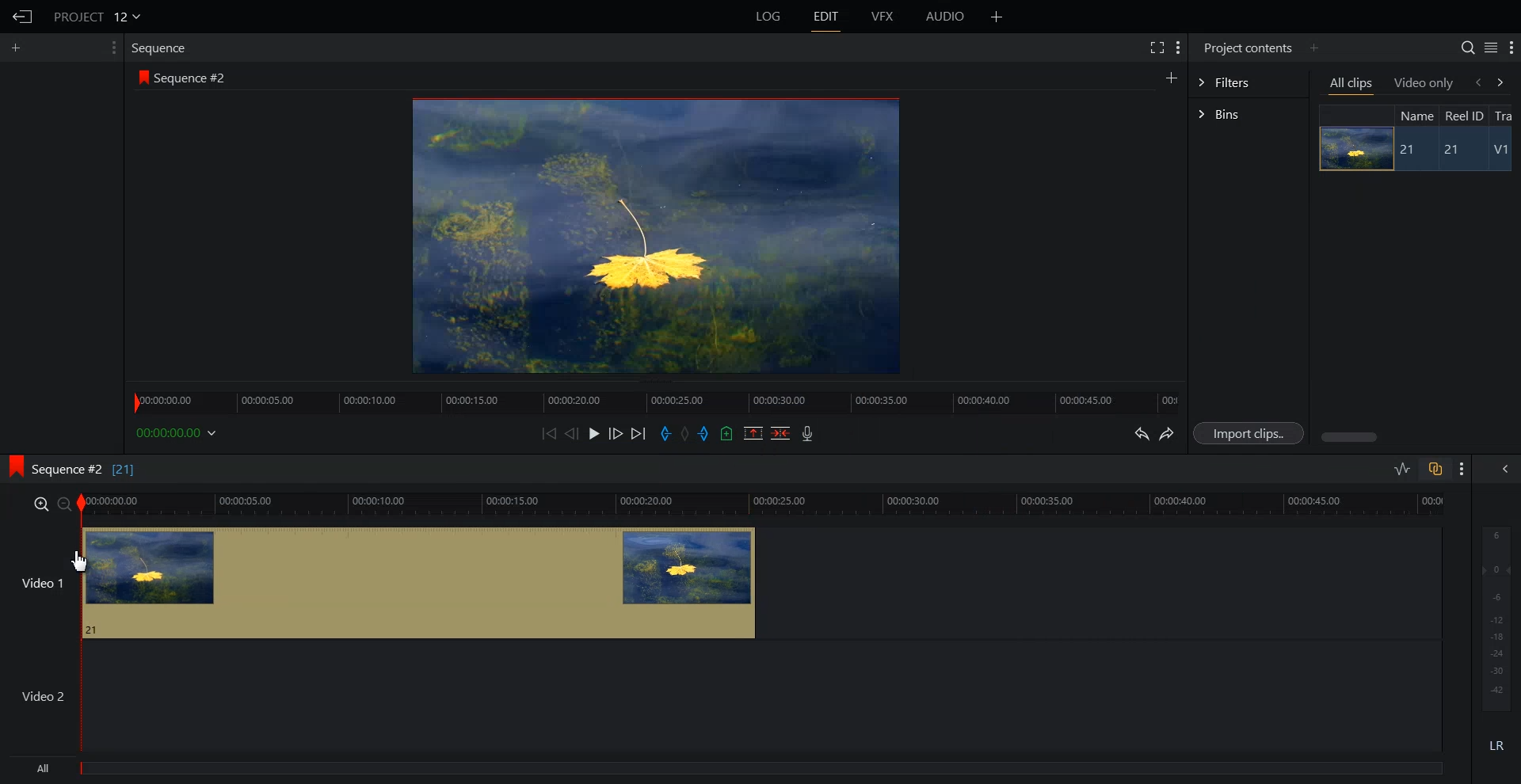 This screenshot has height=784, width=1521. I want to click on All clips, so click(1352, 85).